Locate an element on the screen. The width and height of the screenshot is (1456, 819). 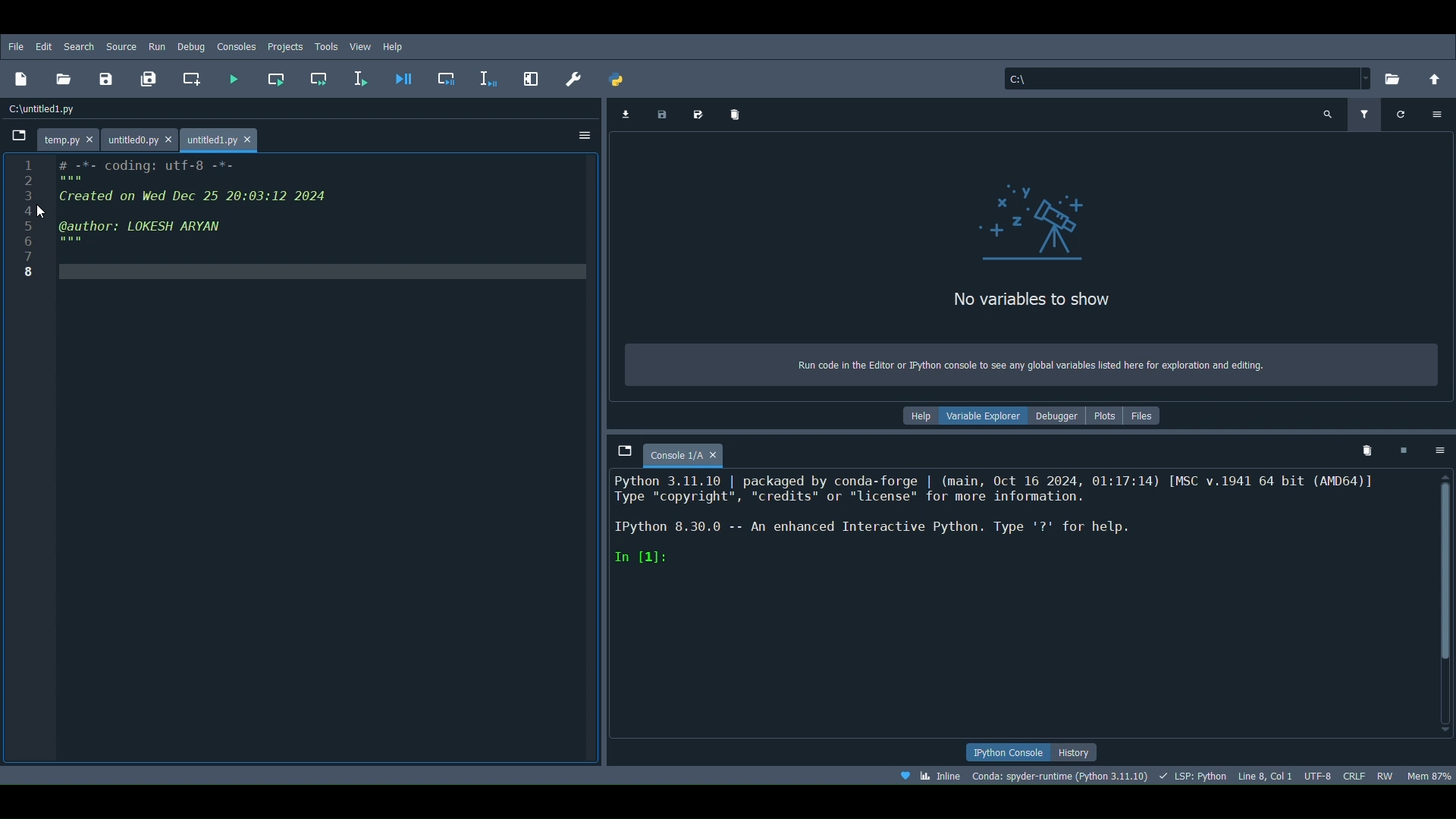
Encoding is located at coordinates (1319, 772).